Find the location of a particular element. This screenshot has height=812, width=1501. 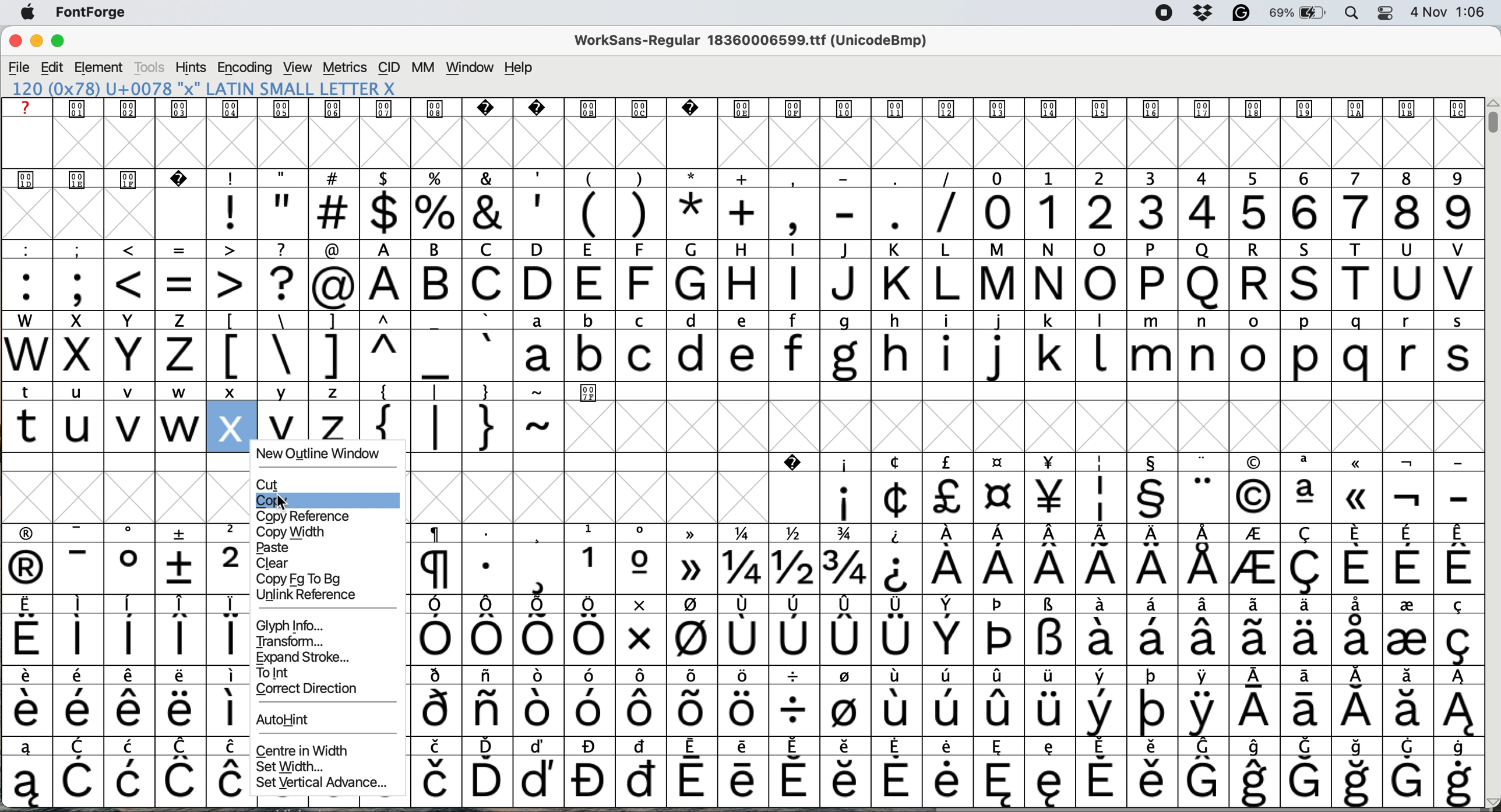

maximise is located at coordinates (65, 43).